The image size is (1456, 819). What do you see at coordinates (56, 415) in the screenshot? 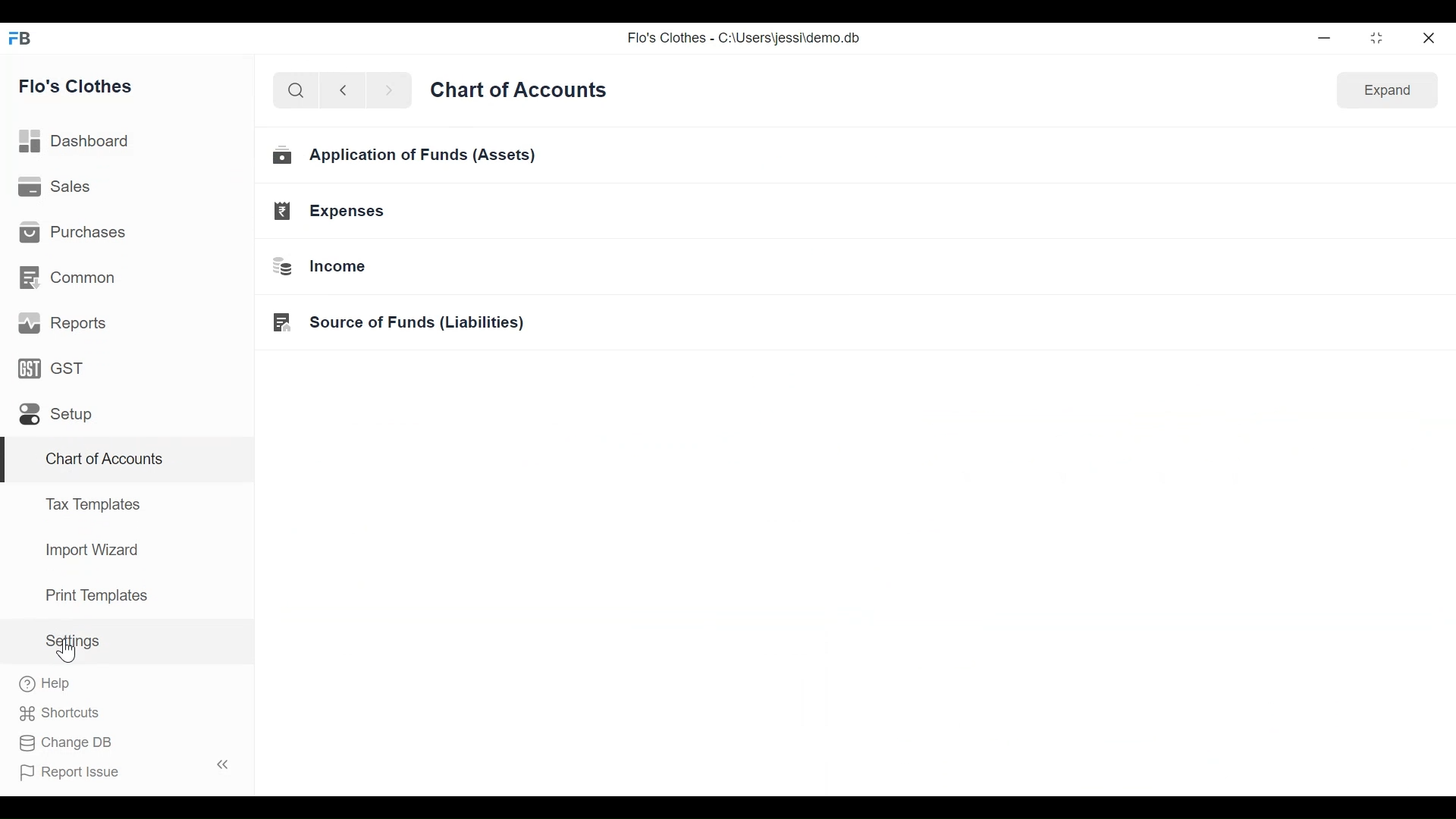
I see `setup` at bounding box center [56, 415].